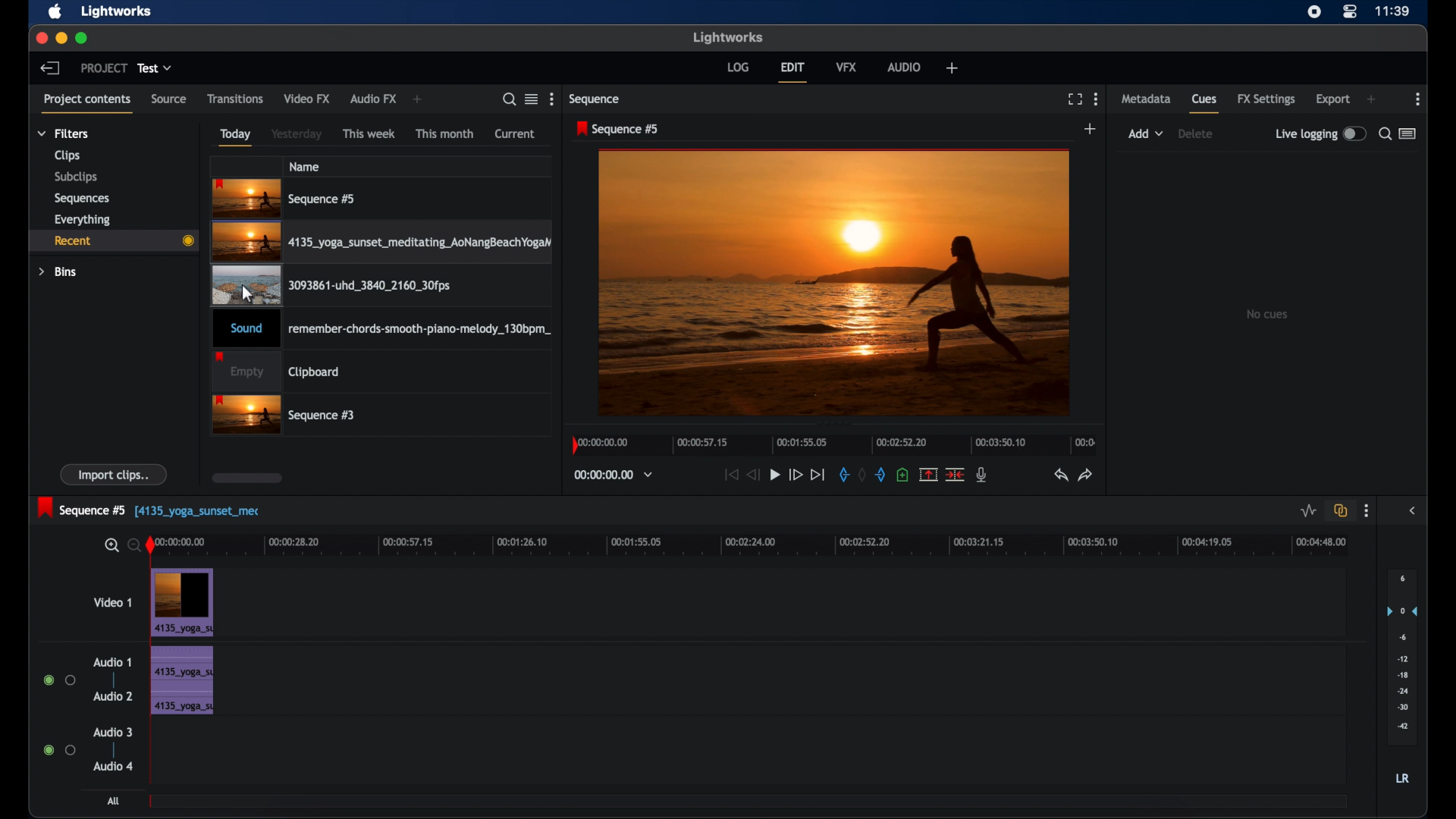  Describe the element at coordinates (1367, 512) in the screenshot. I see `more options` at that location.